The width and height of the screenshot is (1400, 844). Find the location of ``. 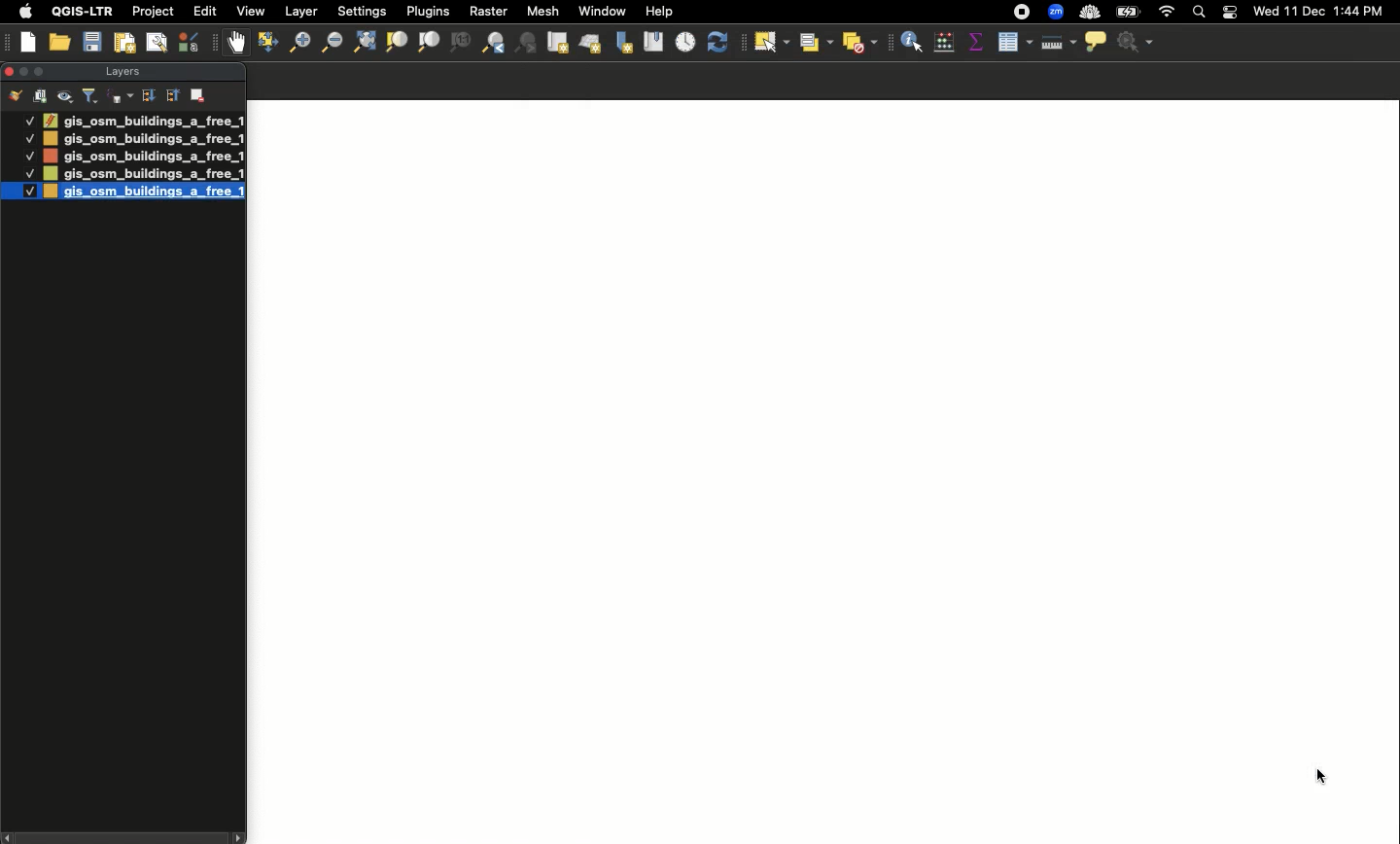

 is located at coordinates (891, 43).